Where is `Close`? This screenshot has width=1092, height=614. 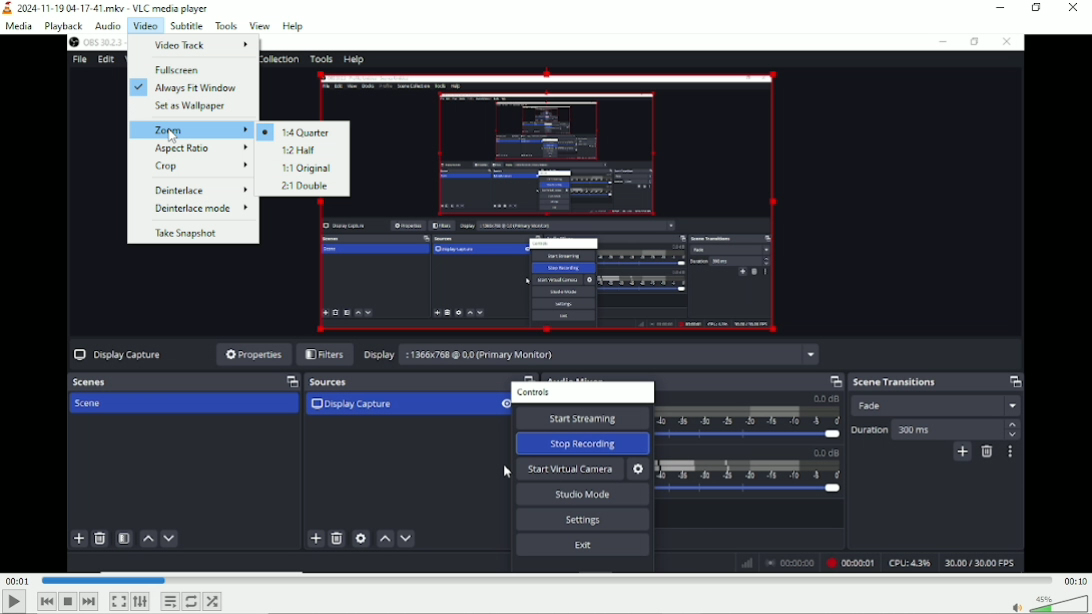
Close is located at coordinates (1072, 10).